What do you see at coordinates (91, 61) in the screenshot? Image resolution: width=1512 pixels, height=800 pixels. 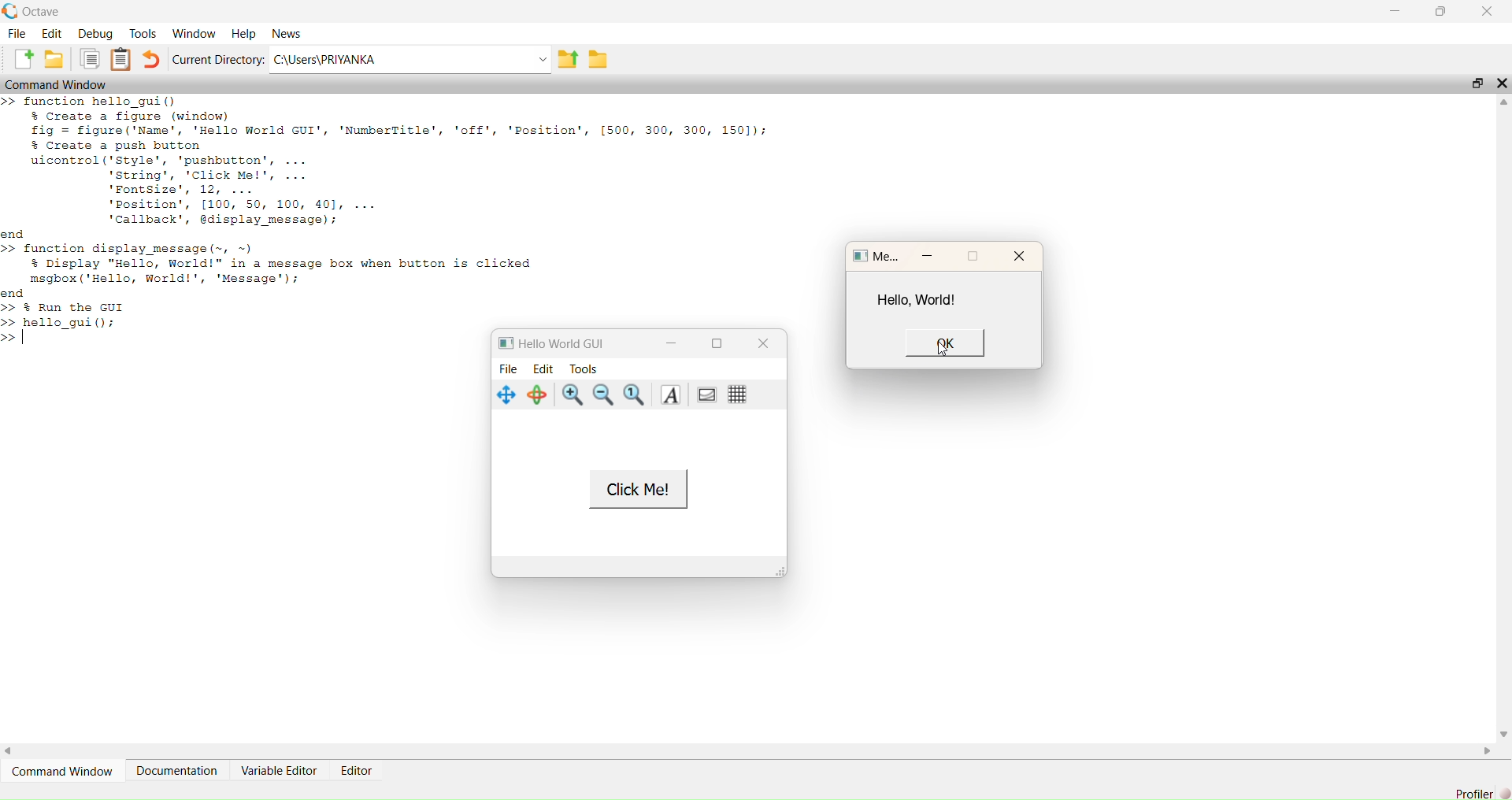 I see `copy` at bounding box center [91, 61].